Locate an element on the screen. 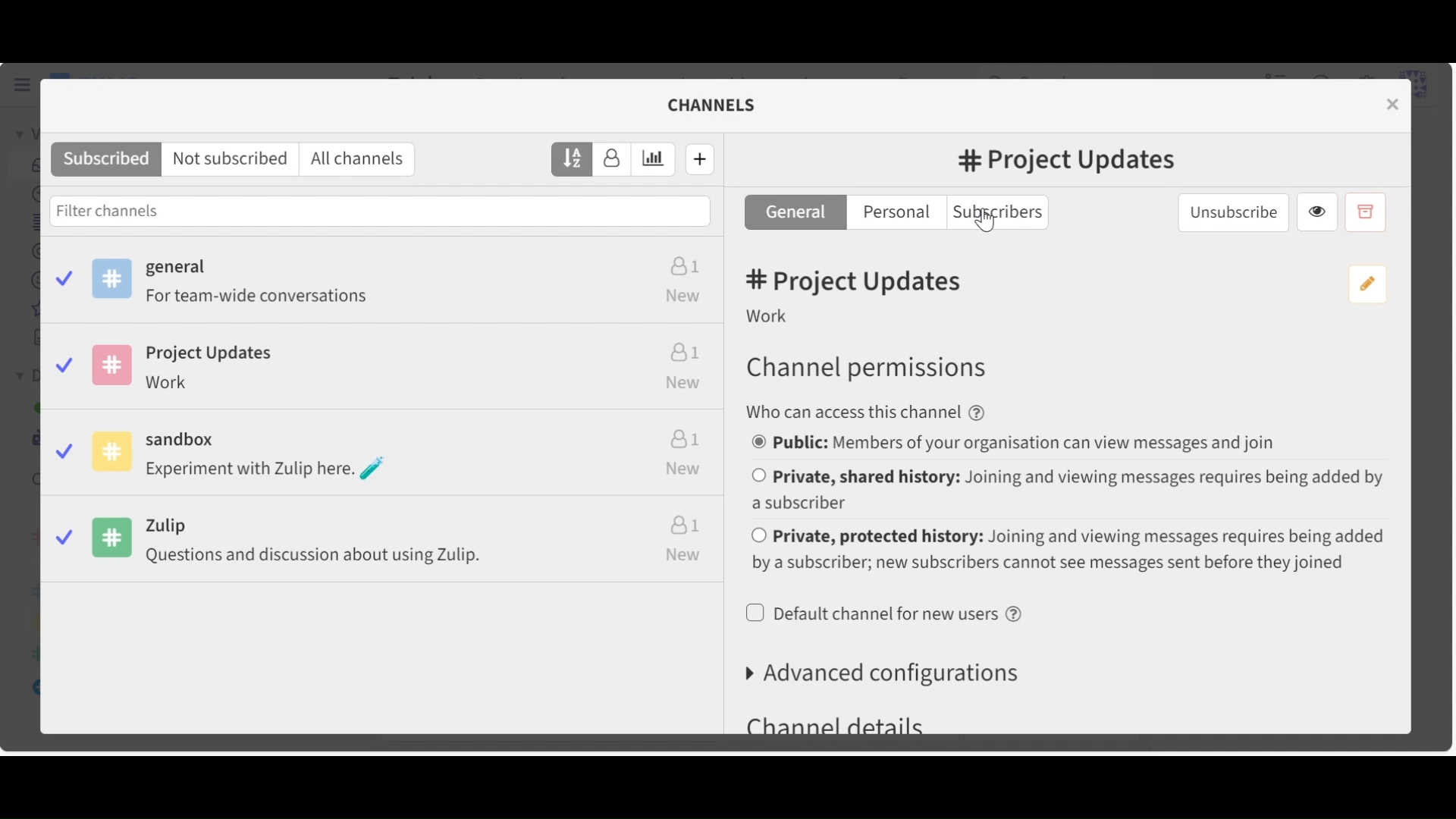 This screenshot has width=1456, height=819. channel details is located at coordinates (837, 723).